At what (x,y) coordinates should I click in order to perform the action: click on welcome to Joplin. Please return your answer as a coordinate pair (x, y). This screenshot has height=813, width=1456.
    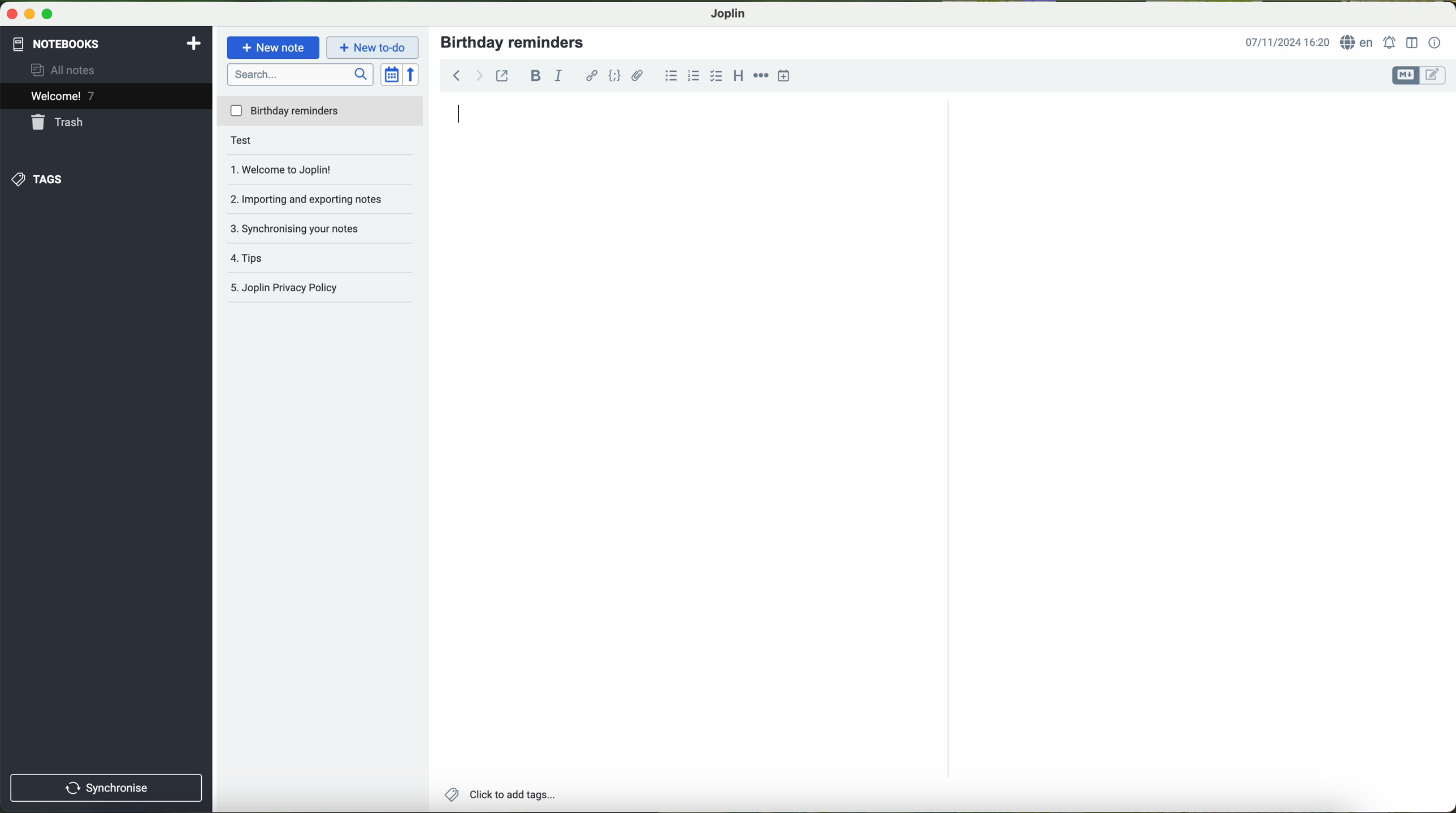
    Looking at the image, I should click on (297, 169).